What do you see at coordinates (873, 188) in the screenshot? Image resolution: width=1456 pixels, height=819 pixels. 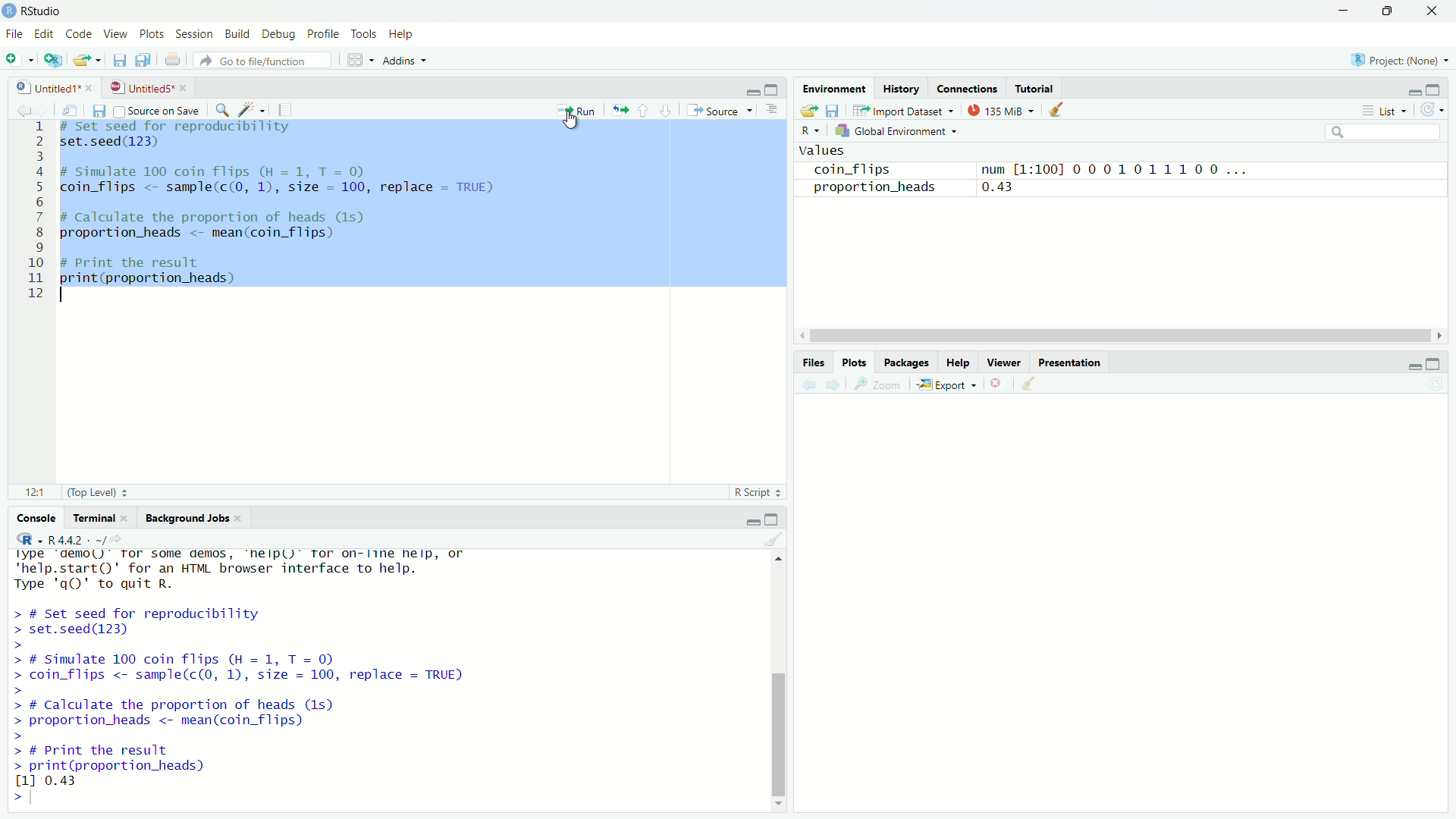 I see `proportion_heads` at bounding box center [873, 188].